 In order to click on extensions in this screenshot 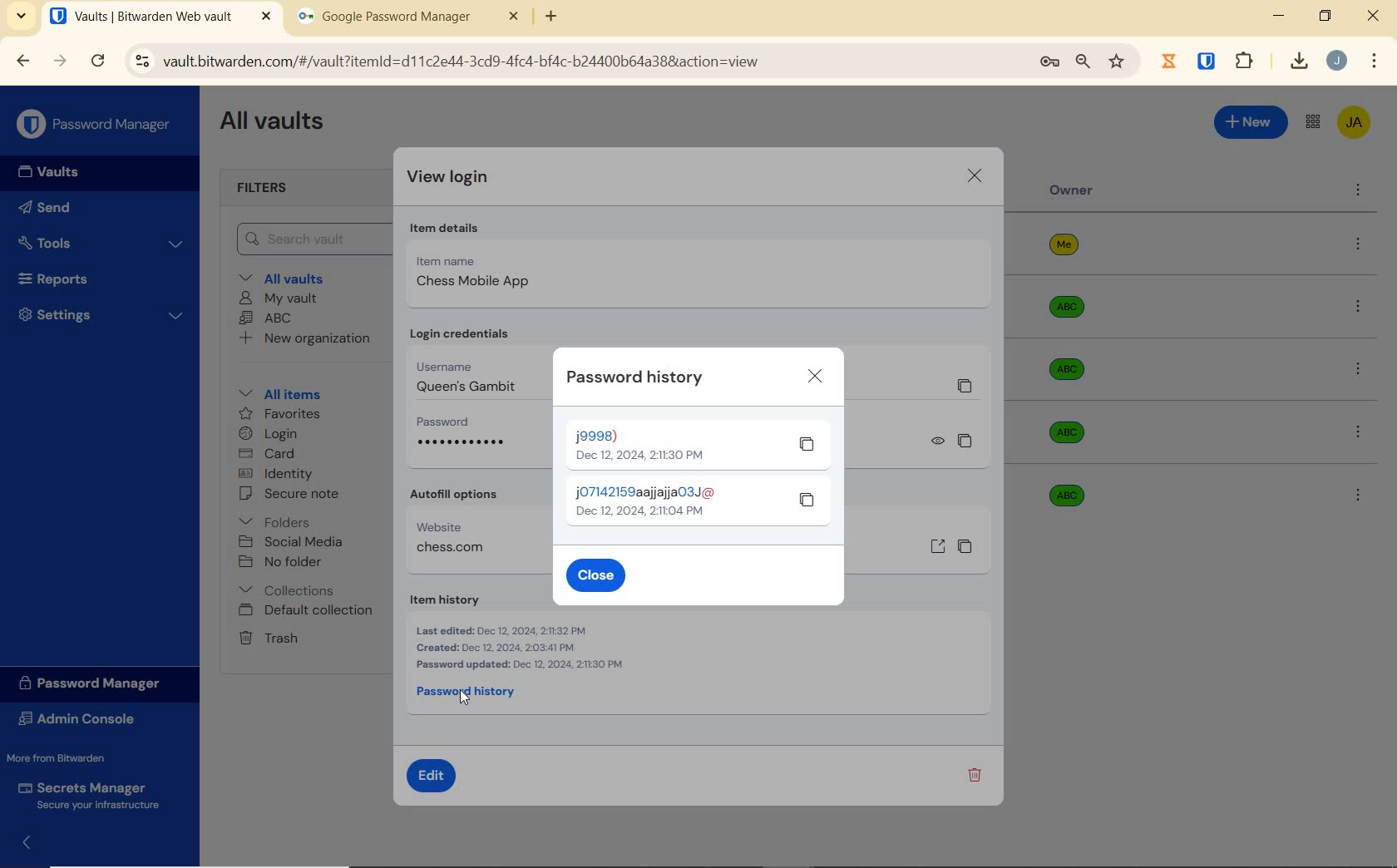, I will do `click(1208, 60)`.